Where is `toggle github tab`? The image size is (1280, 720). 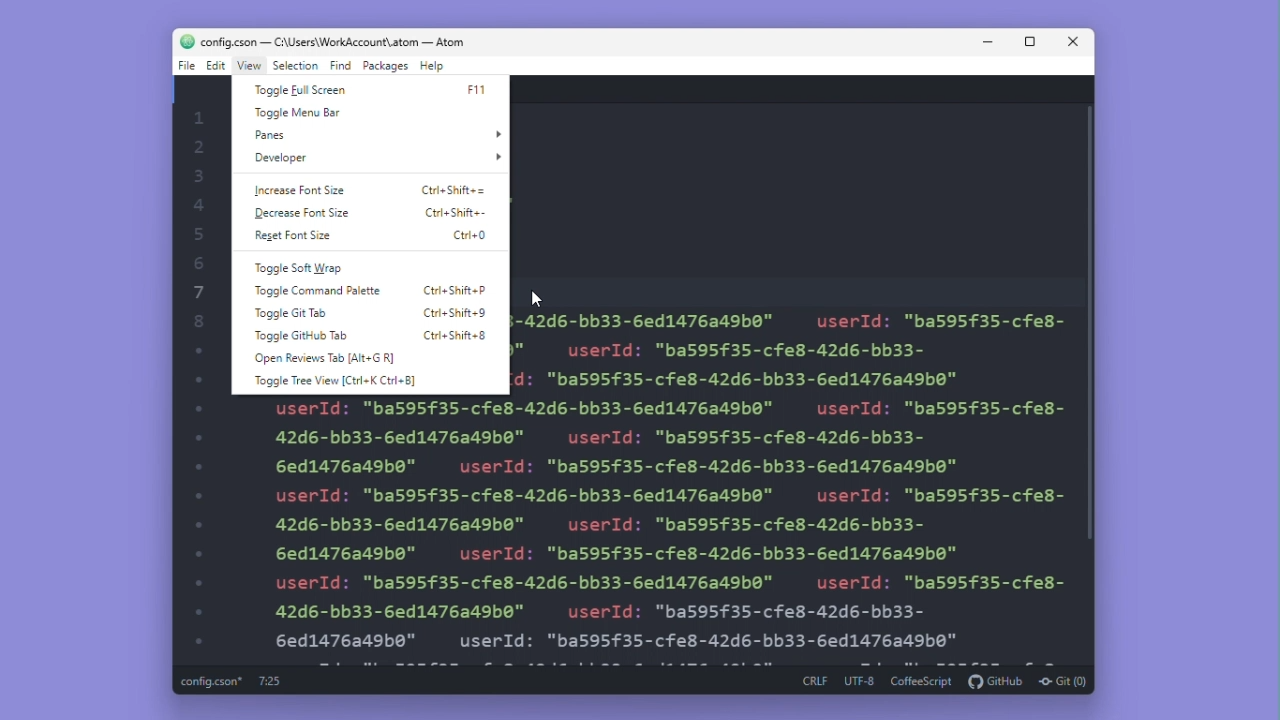 toggle github tab is located at coordinates (299, 336).